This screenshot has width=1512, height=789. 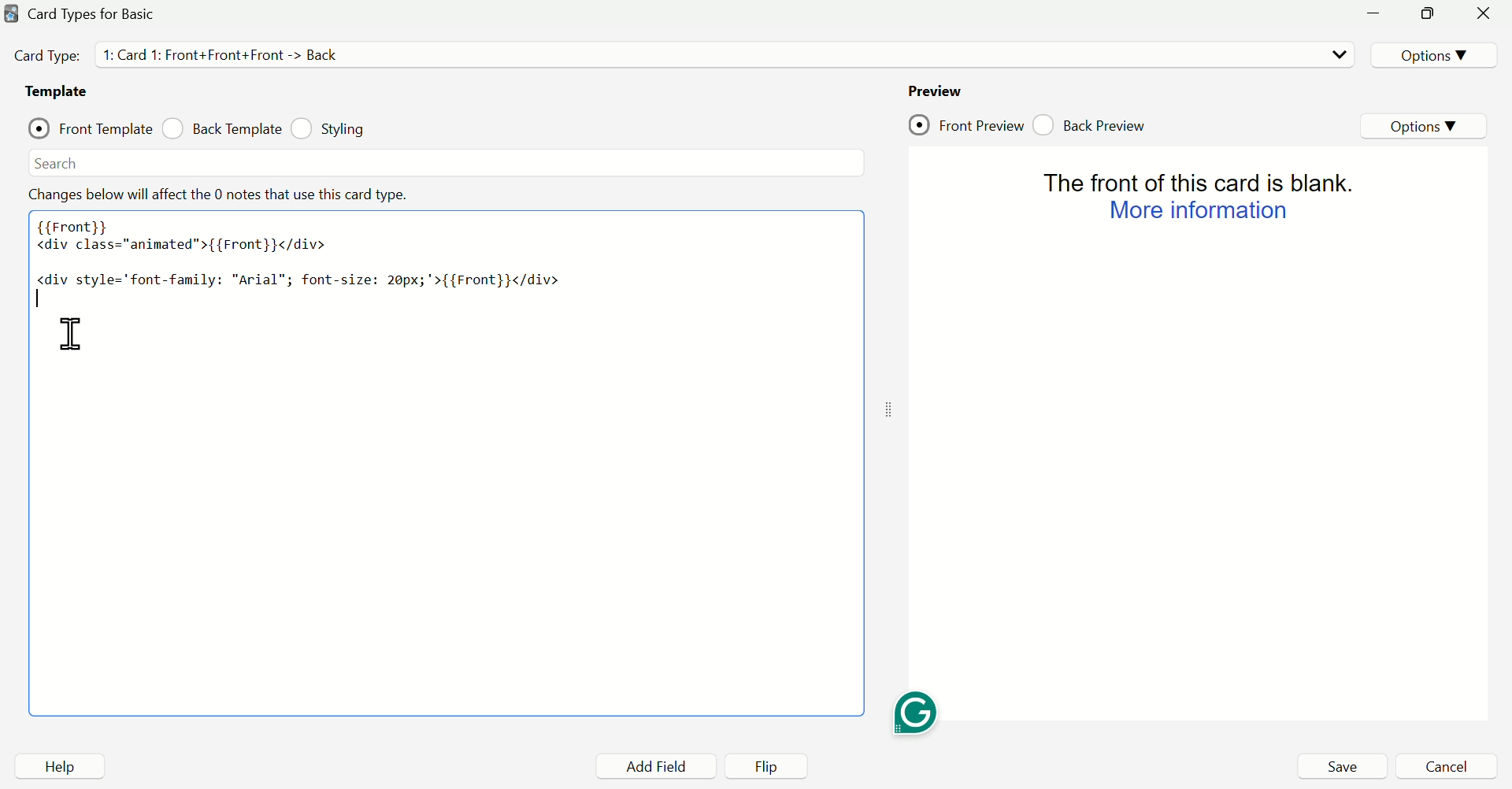 What do you see at coordinates (12, 13) in the screenshot?
I see `Anki Desktop icon` at bounding box center [12, 13].